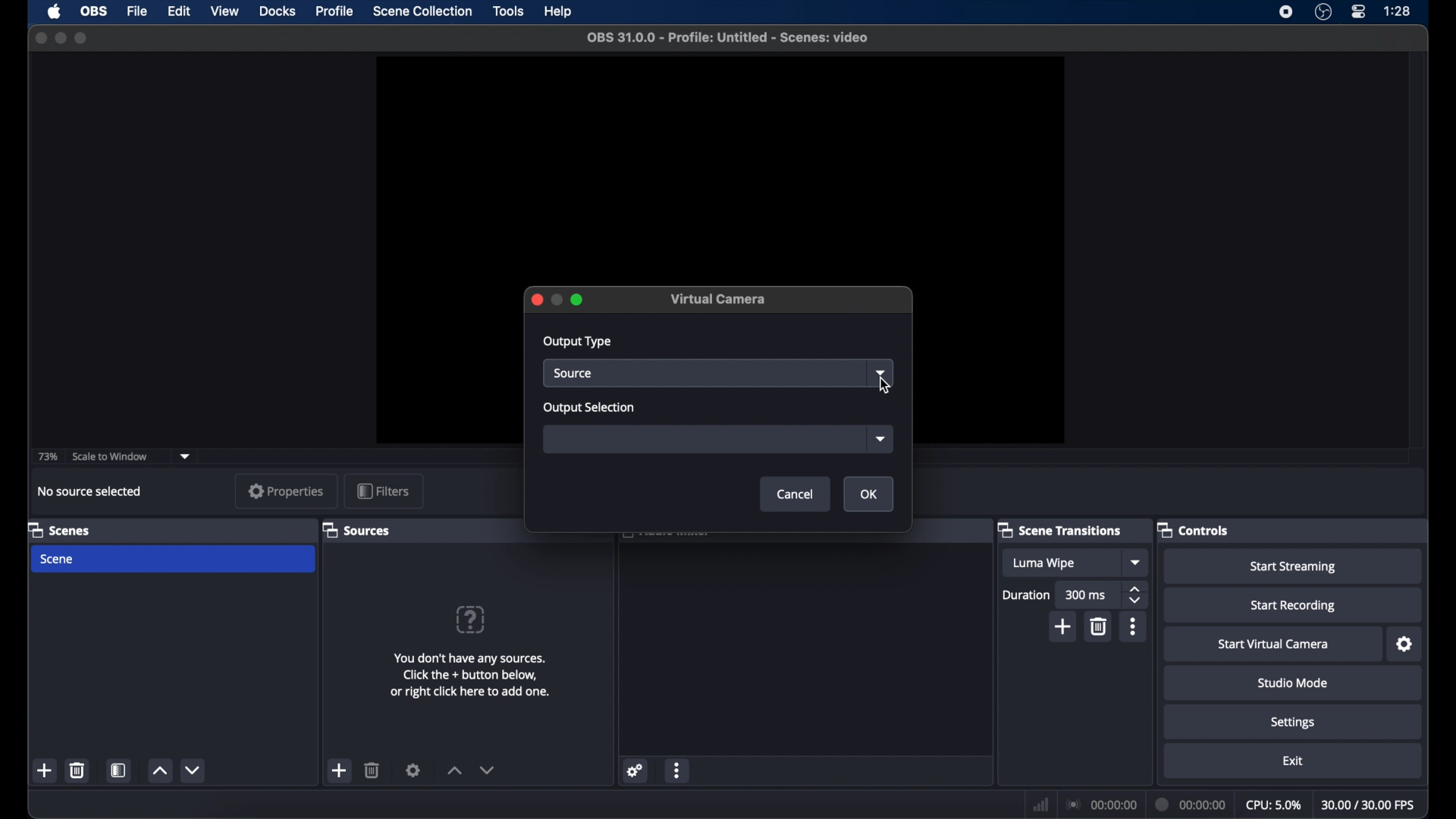  What do you see at coordinates (535, 299) in the screenshot?
I see `close` at bounding box center [535, 299].